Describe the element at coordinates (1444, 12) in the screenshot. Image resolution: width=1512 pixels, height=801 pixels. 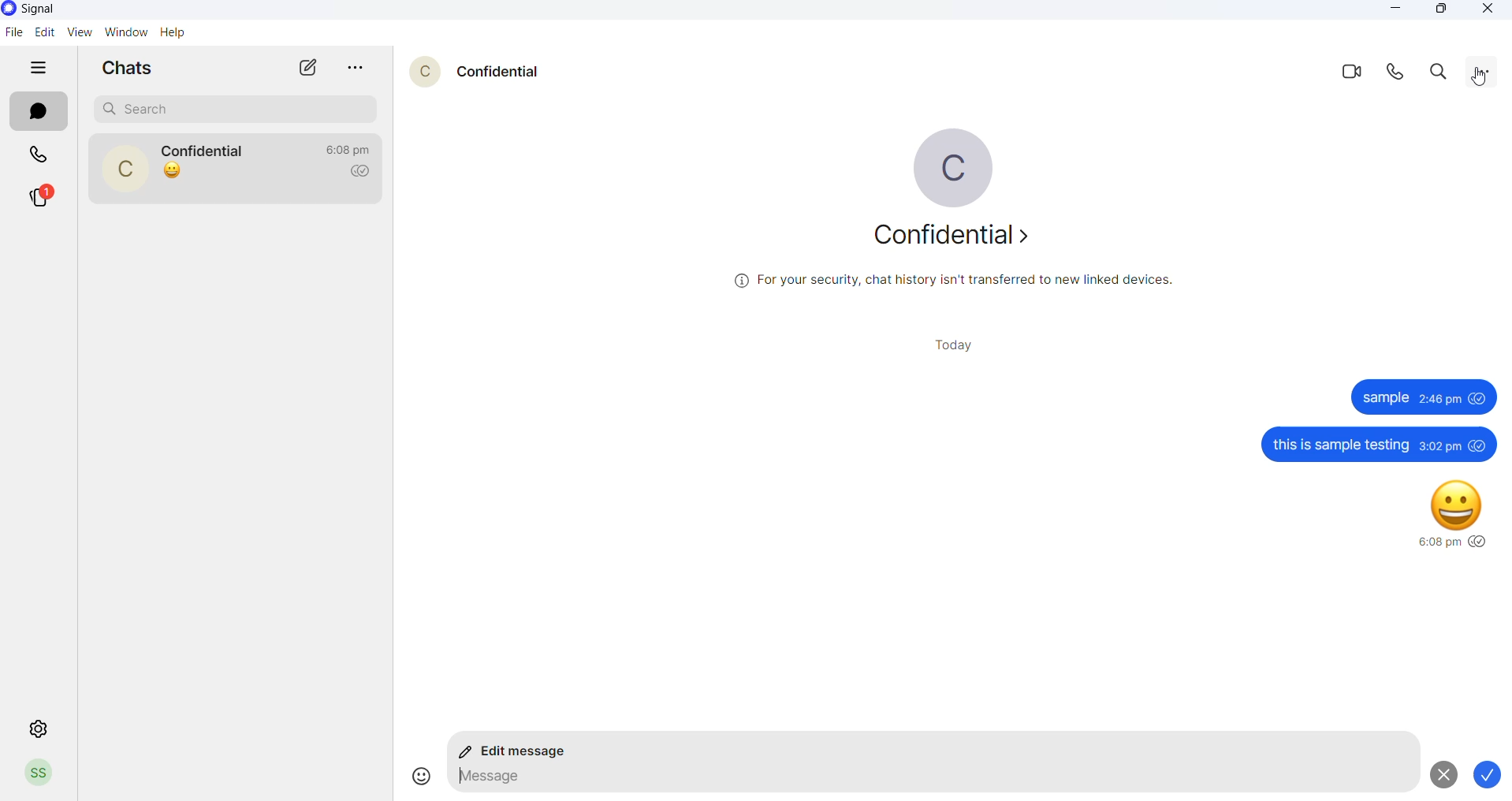
I see `maximize` at that location.